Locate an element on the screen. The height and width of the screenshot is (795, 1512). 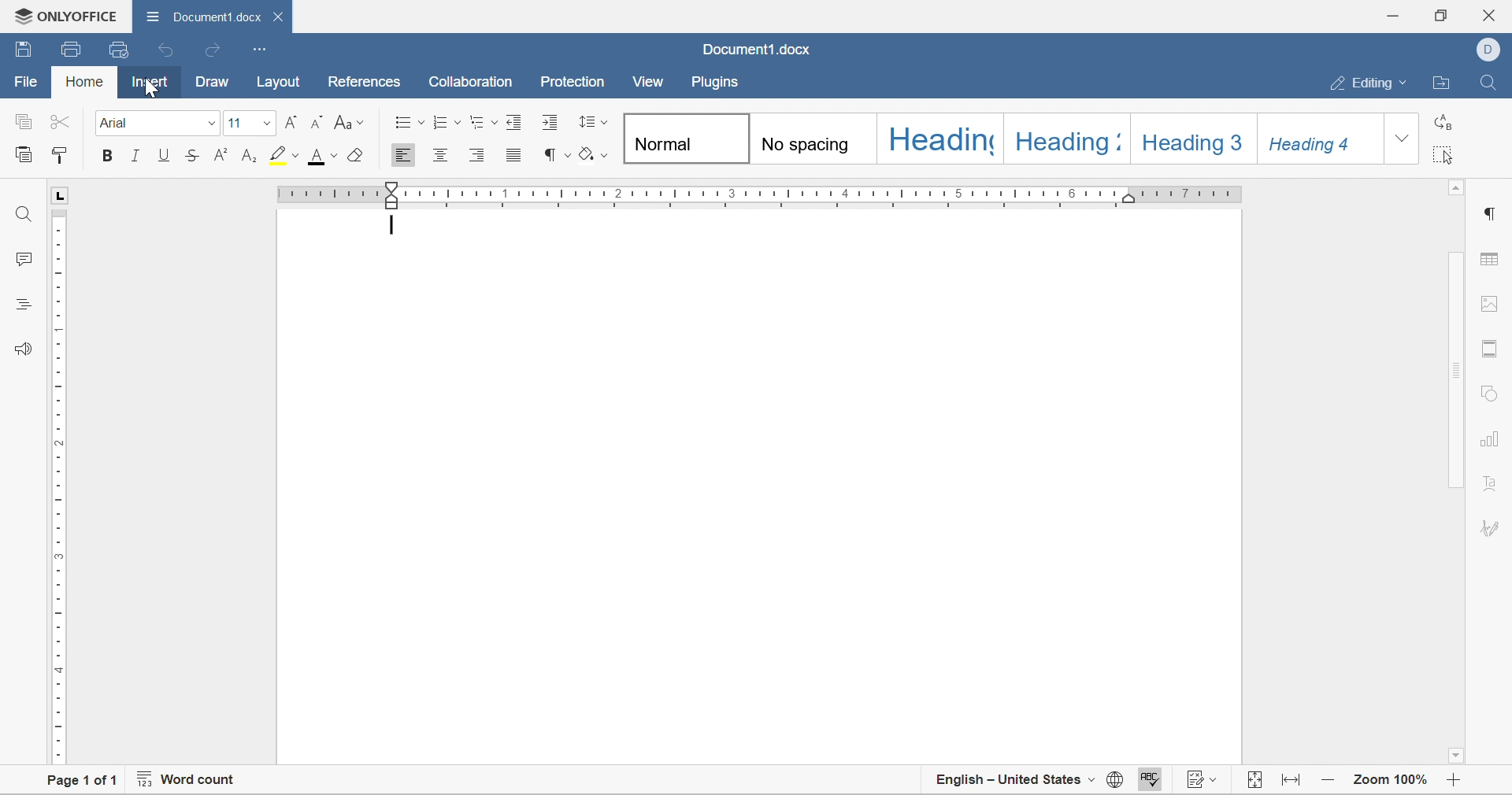
Search is located at coordinates (1491, 80).